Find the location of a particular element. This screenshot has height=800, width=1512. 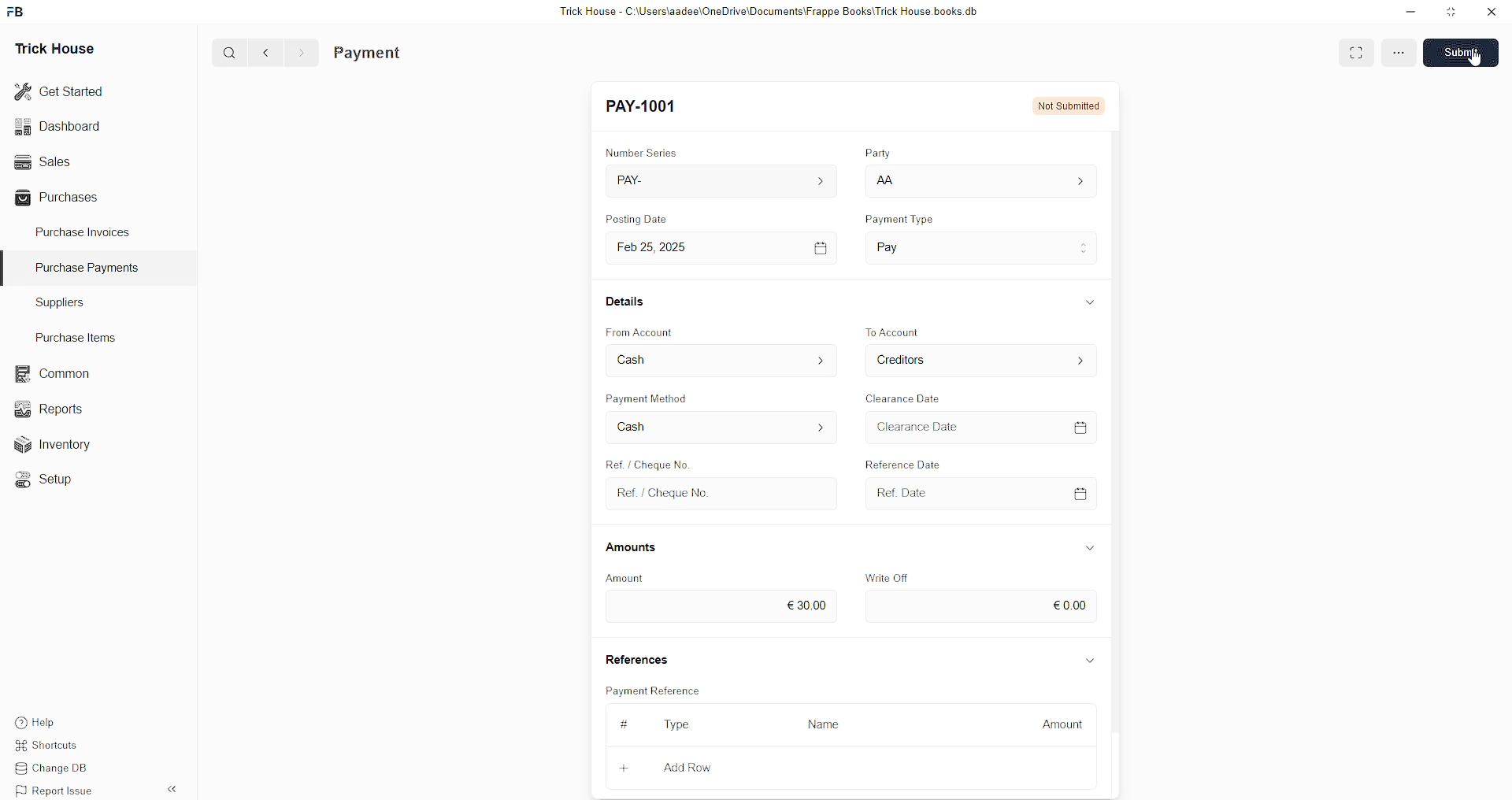

> is located at coordinates (301, 53).